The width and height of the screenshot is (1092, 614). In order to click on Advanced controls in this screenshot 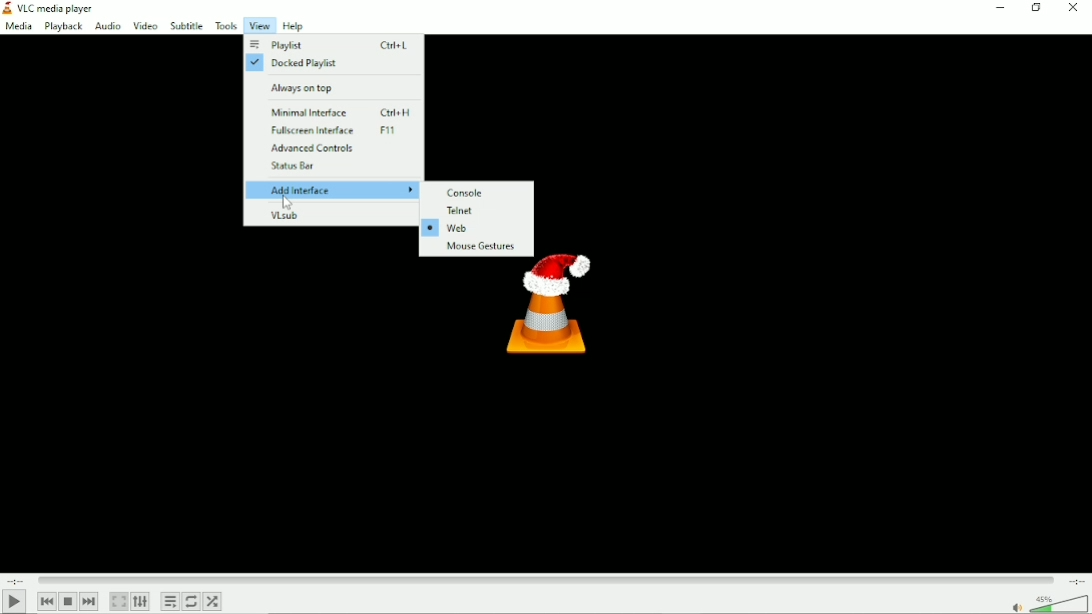, I will do `click(320, 148)`.